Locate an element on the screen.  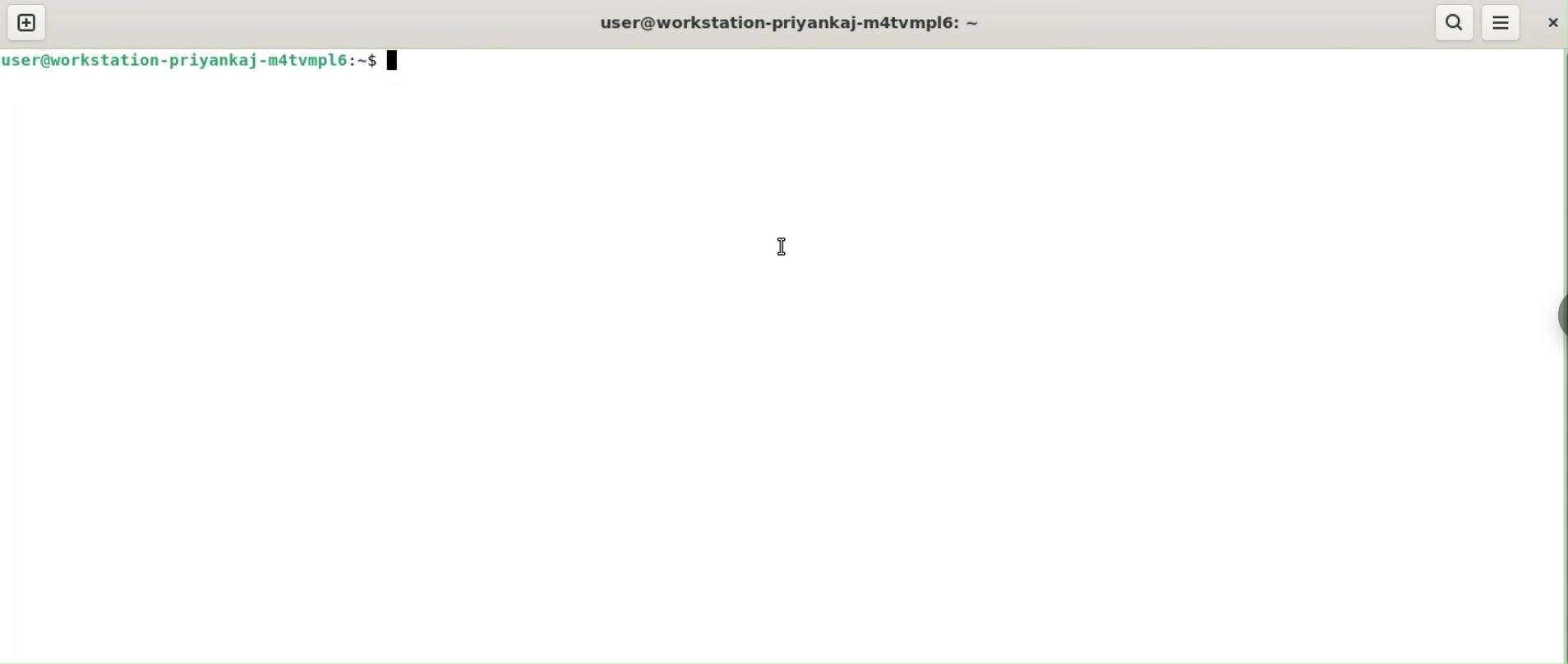
command input is located at coordinates (980, 61).